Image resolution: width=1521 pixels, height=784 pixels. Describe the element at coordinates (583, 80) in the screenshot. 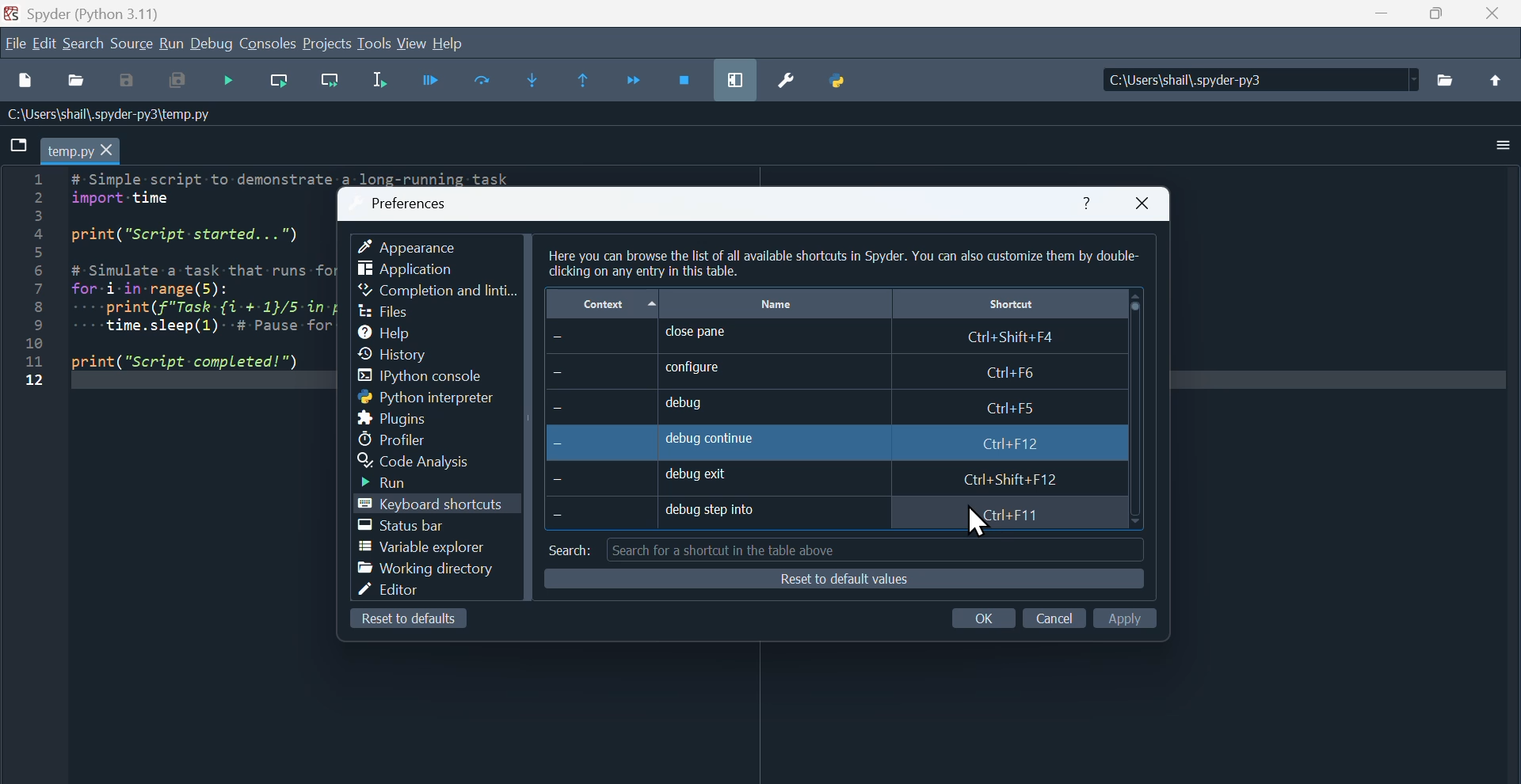

I see `Execute until same function returns` at that location.